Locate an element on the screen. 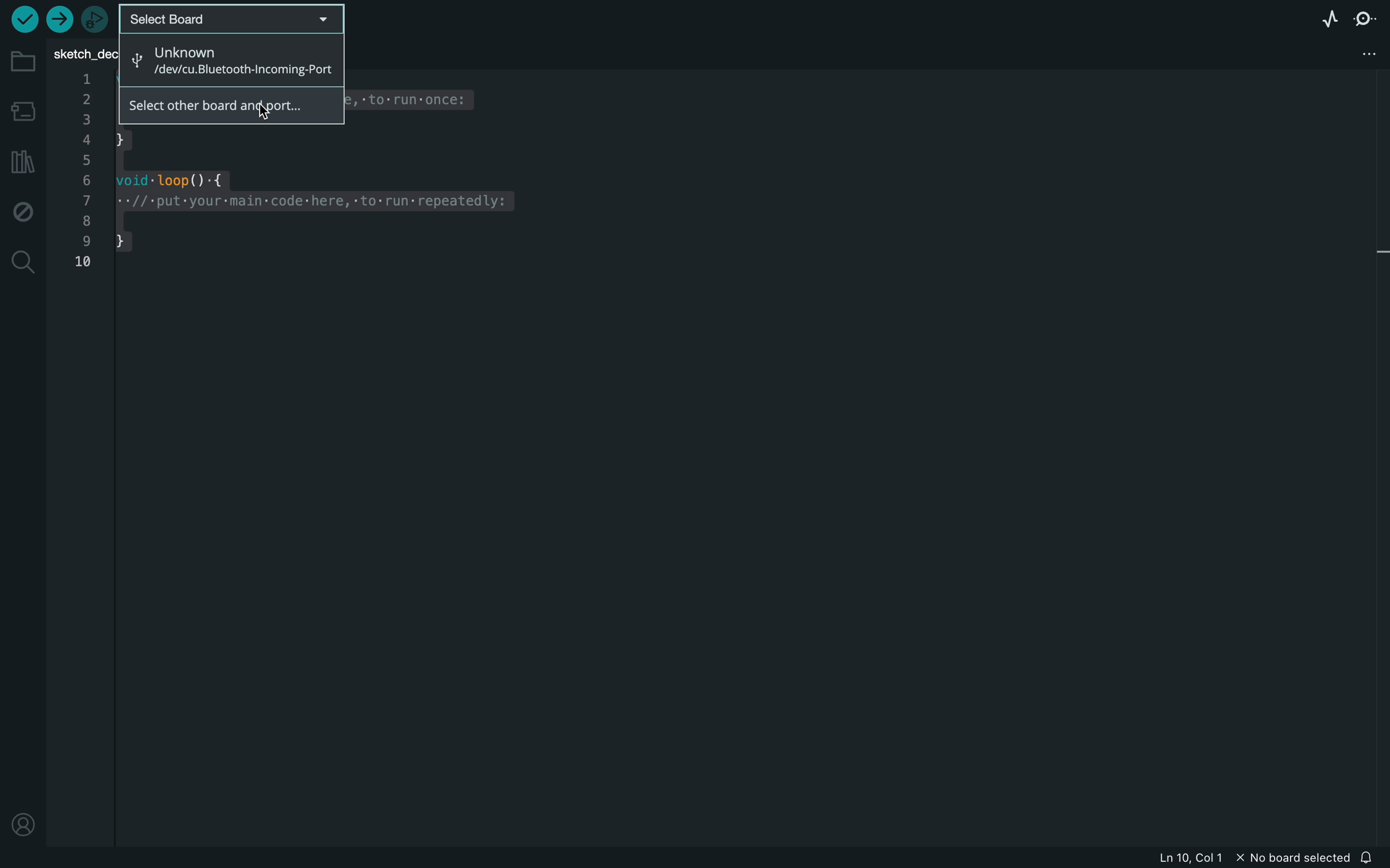 The image size is (1390, 868). select other is located at coordinates (226, 107).